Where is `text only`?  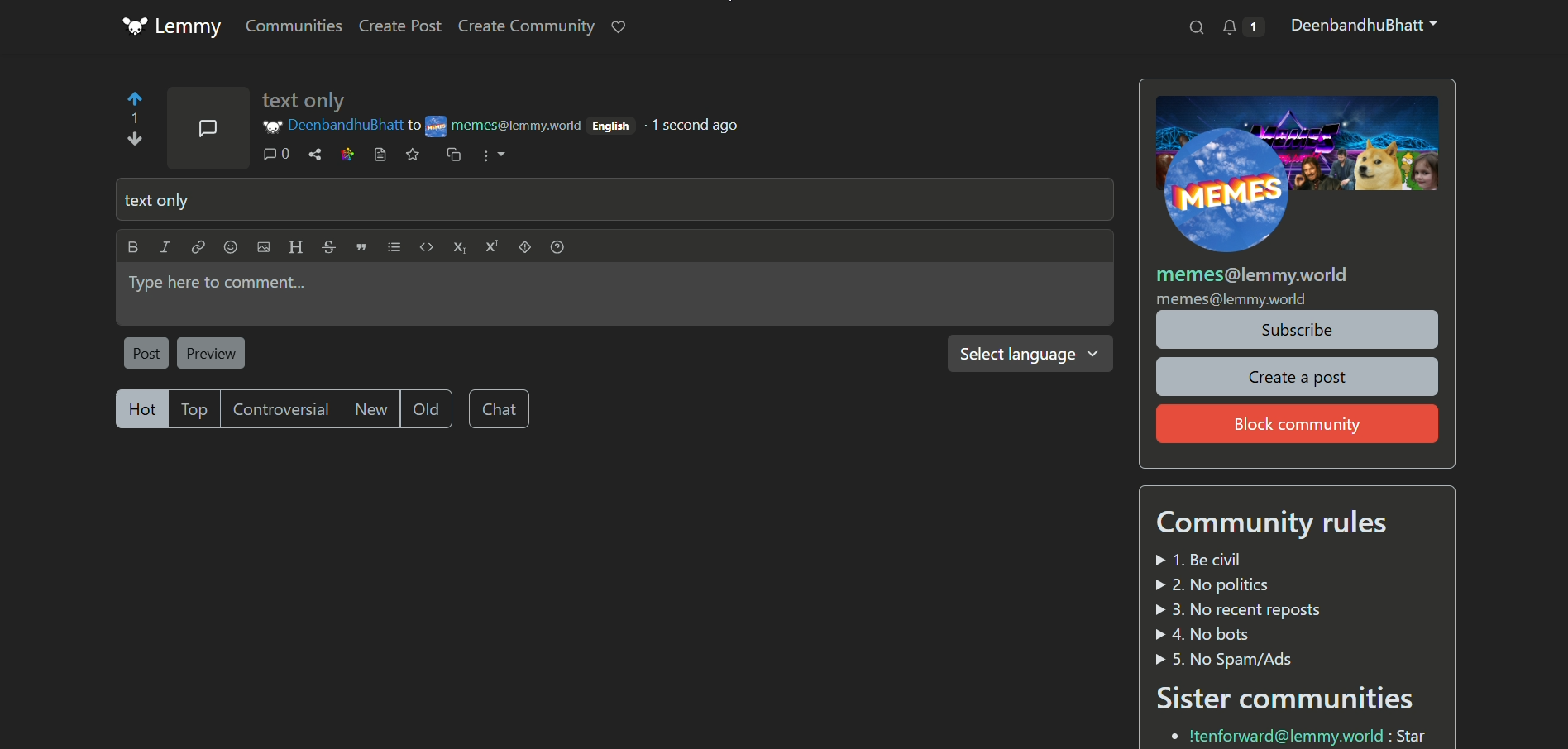 text only is located at coordinates (306, 101).